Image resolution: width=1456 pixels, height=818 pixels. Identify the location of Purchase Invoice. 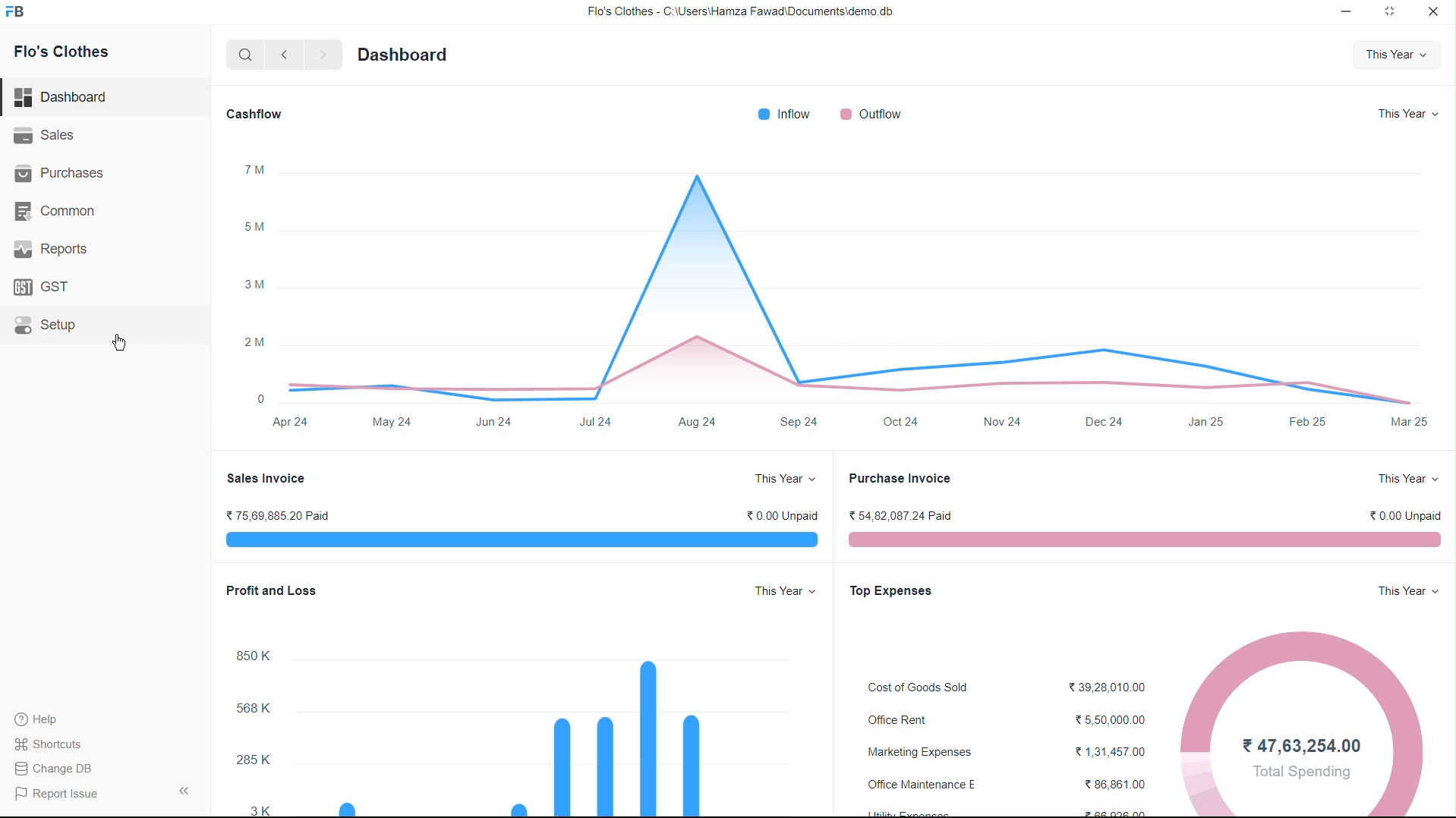
(901, 480).